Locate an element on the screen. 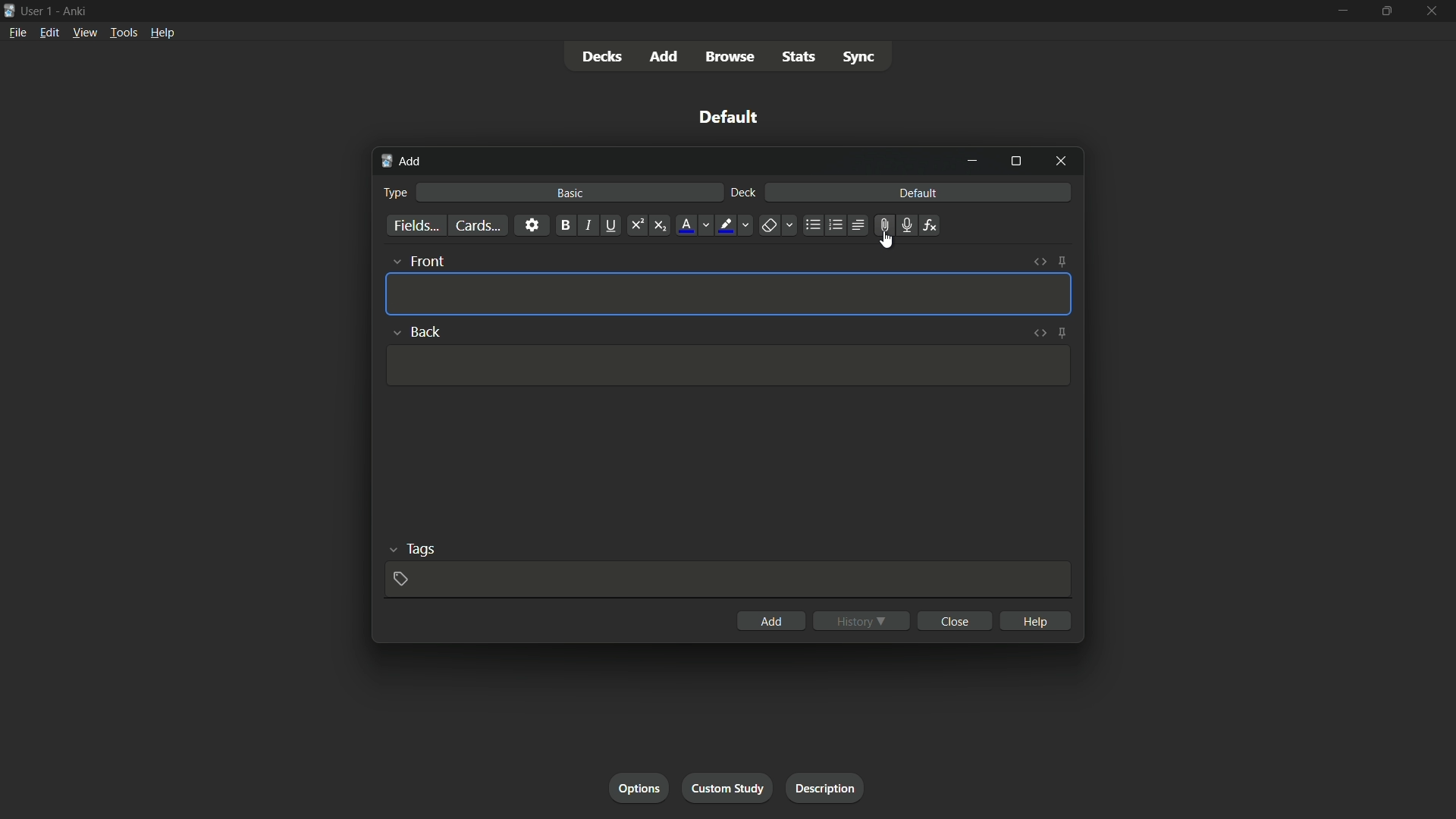  tools menu is located at coordinates (121, 33).